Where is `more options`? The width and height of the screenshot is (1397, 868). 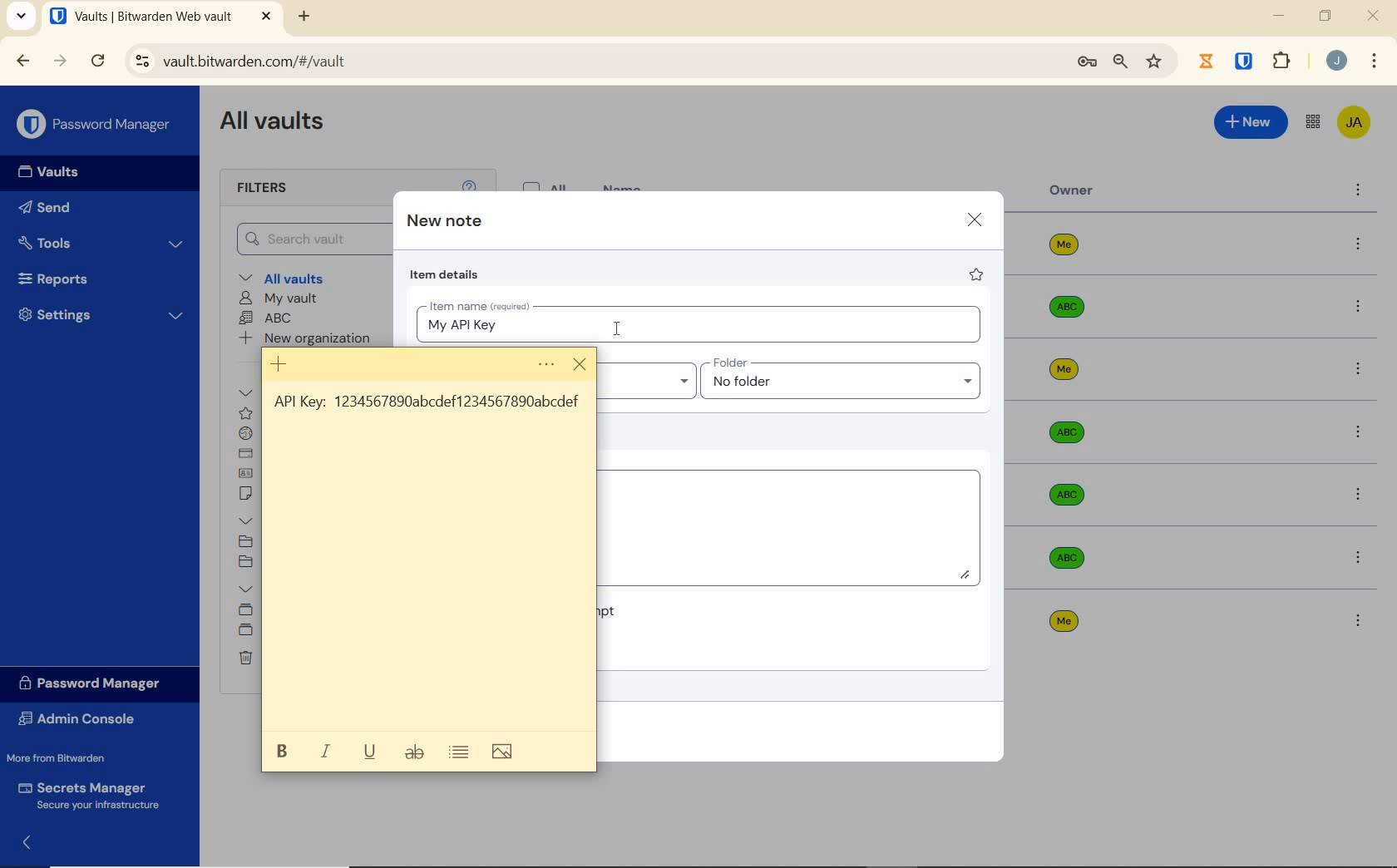 more options is located at coordinates (1360, 556).